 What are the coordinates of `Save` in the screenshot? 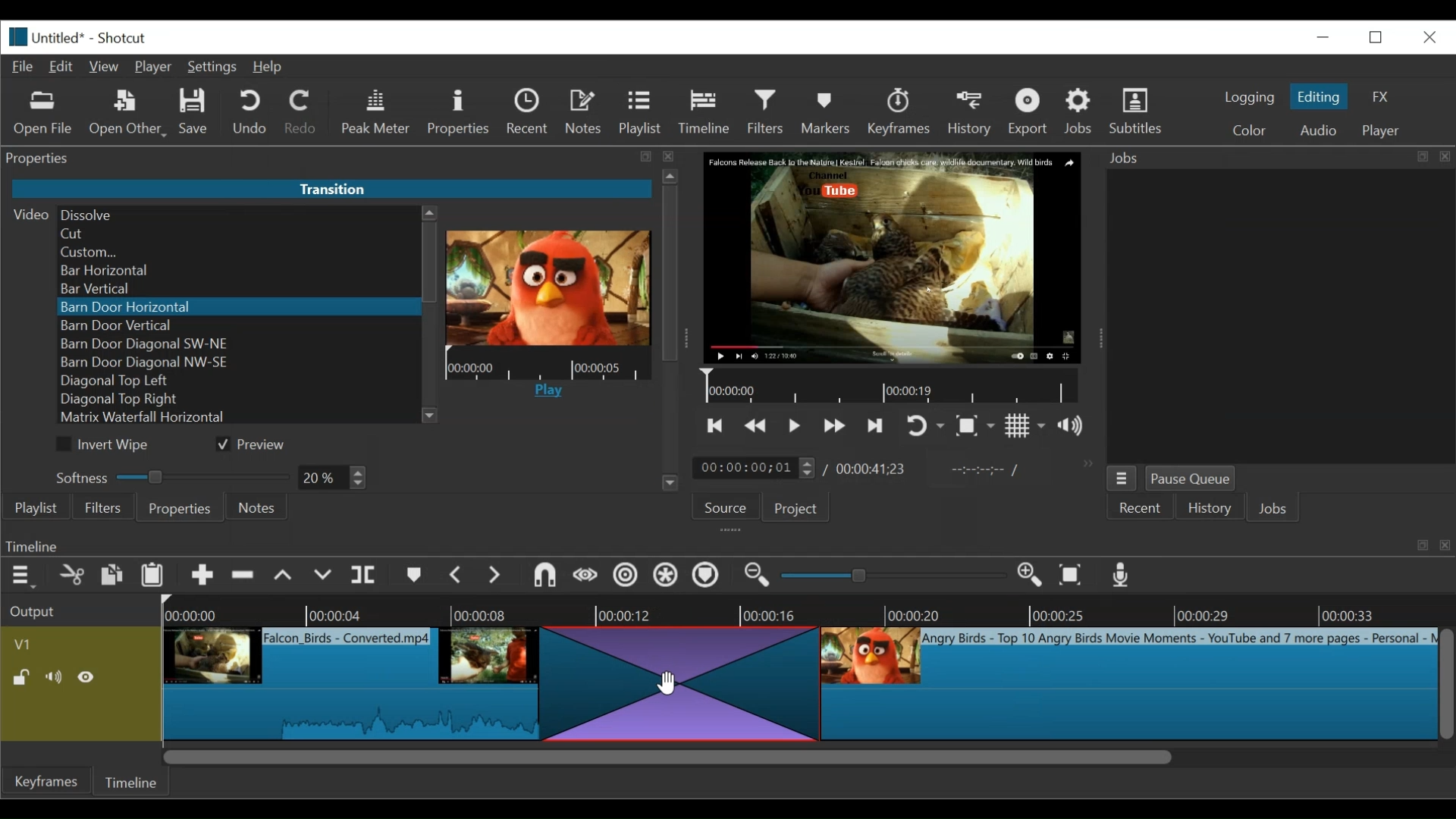 It's located at (196, 112).